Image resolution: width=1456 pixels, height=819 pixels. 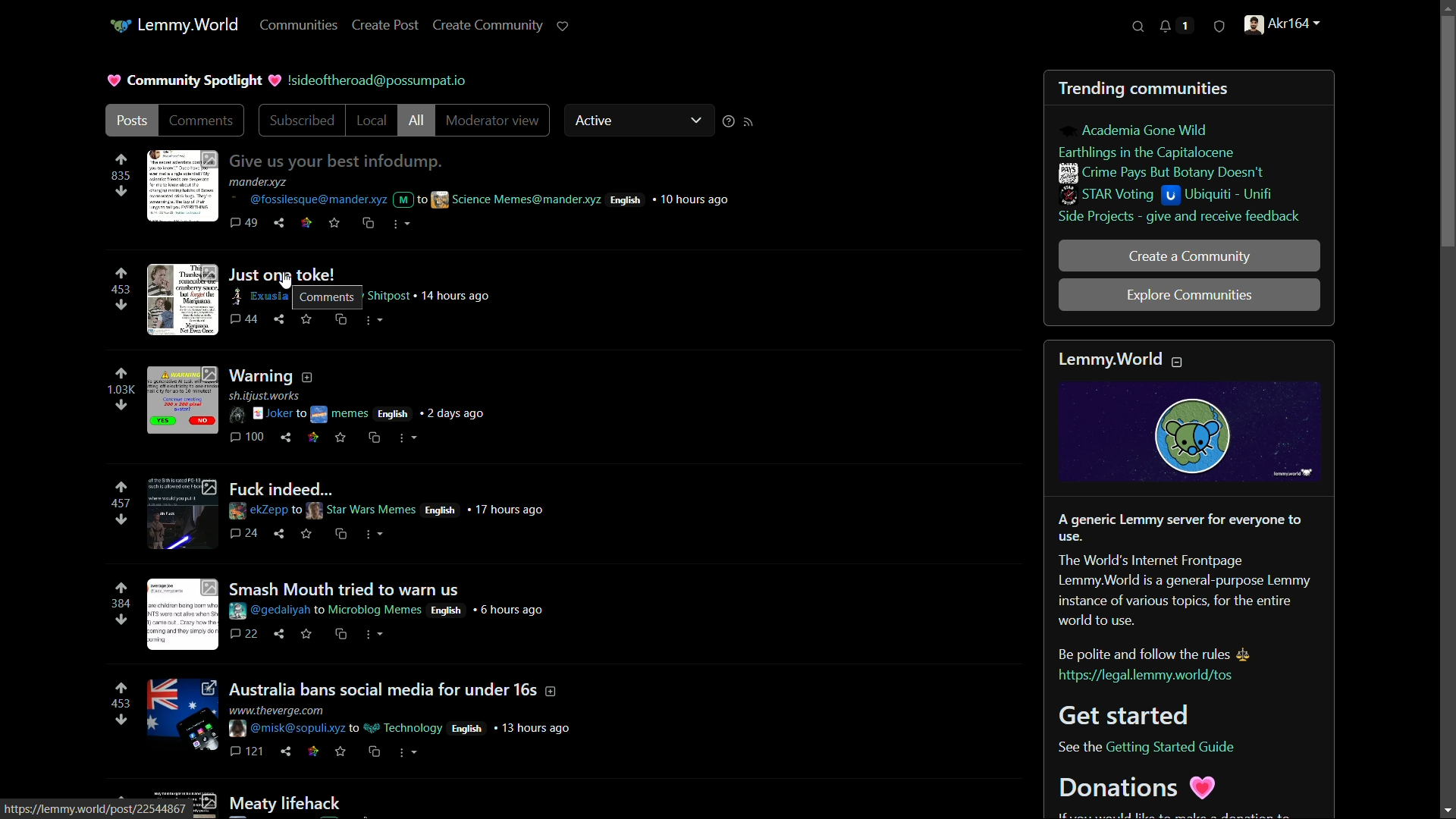 I want to click on local, so click(x=374, y=121).